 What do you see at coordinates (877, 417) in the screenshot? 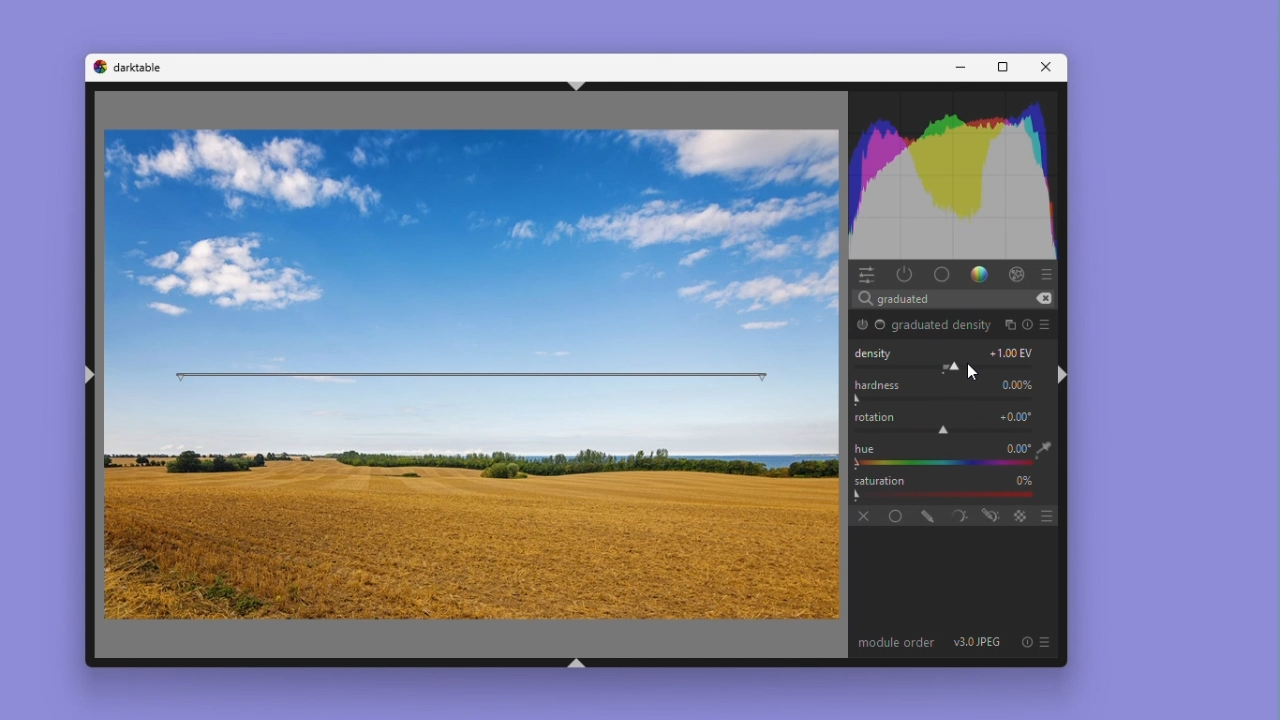
I see `rotation` at bounding box center [877, 417].